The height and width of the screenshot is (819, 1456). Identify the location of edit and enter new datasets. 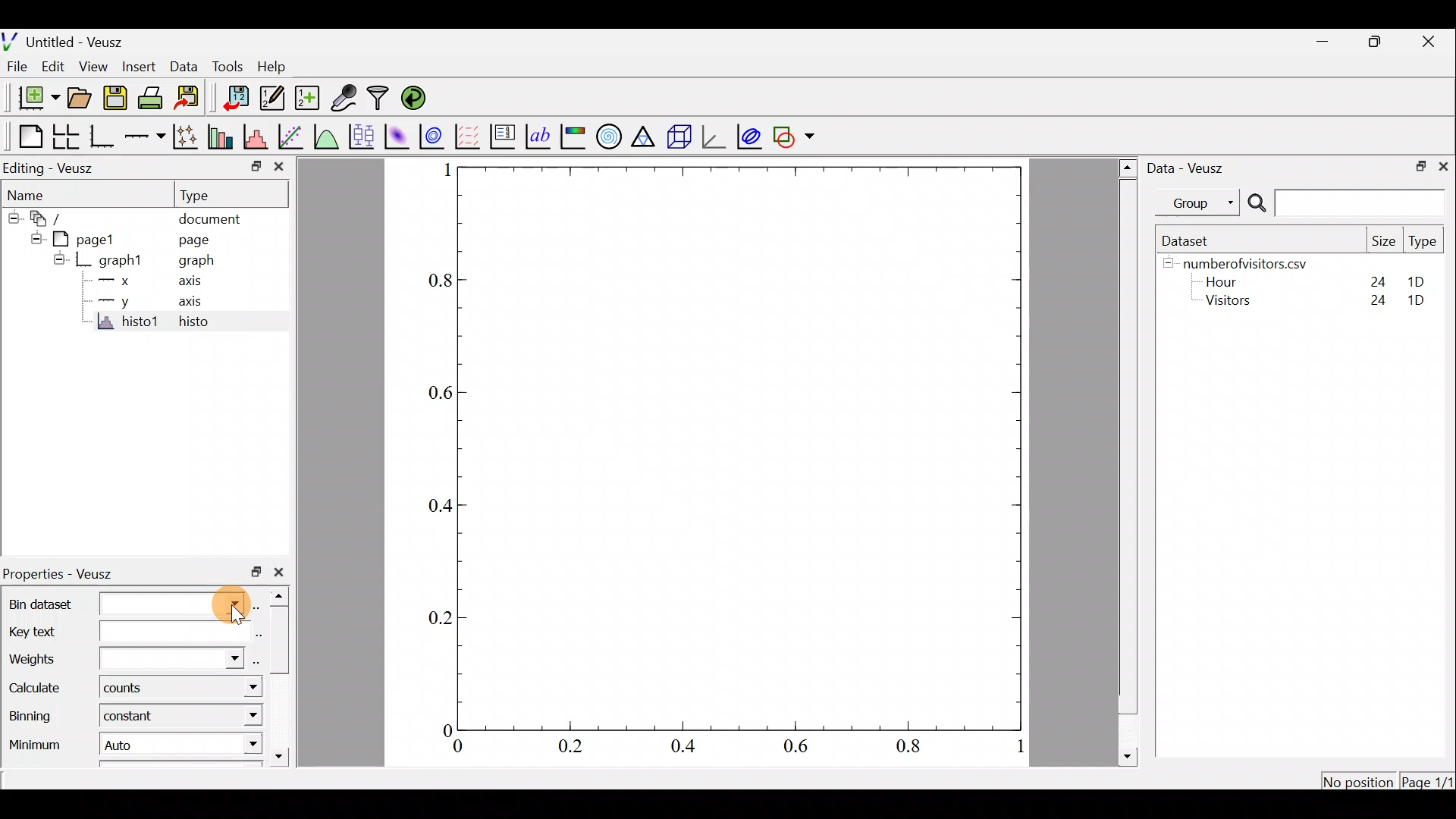
(272, 99).